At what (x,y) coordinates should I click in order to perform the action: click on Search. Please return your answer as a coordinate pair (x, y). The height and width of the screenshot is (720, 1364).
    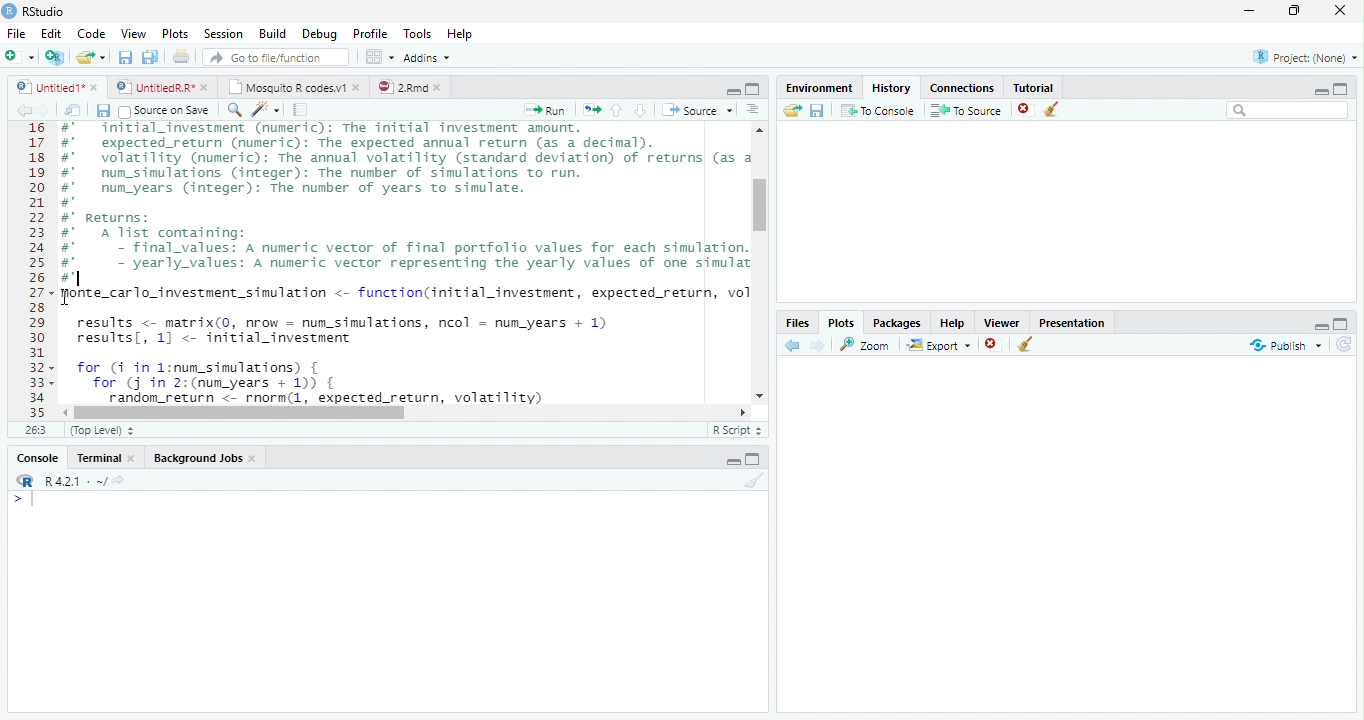
    Looking at the image, I should click on (1288, 110).